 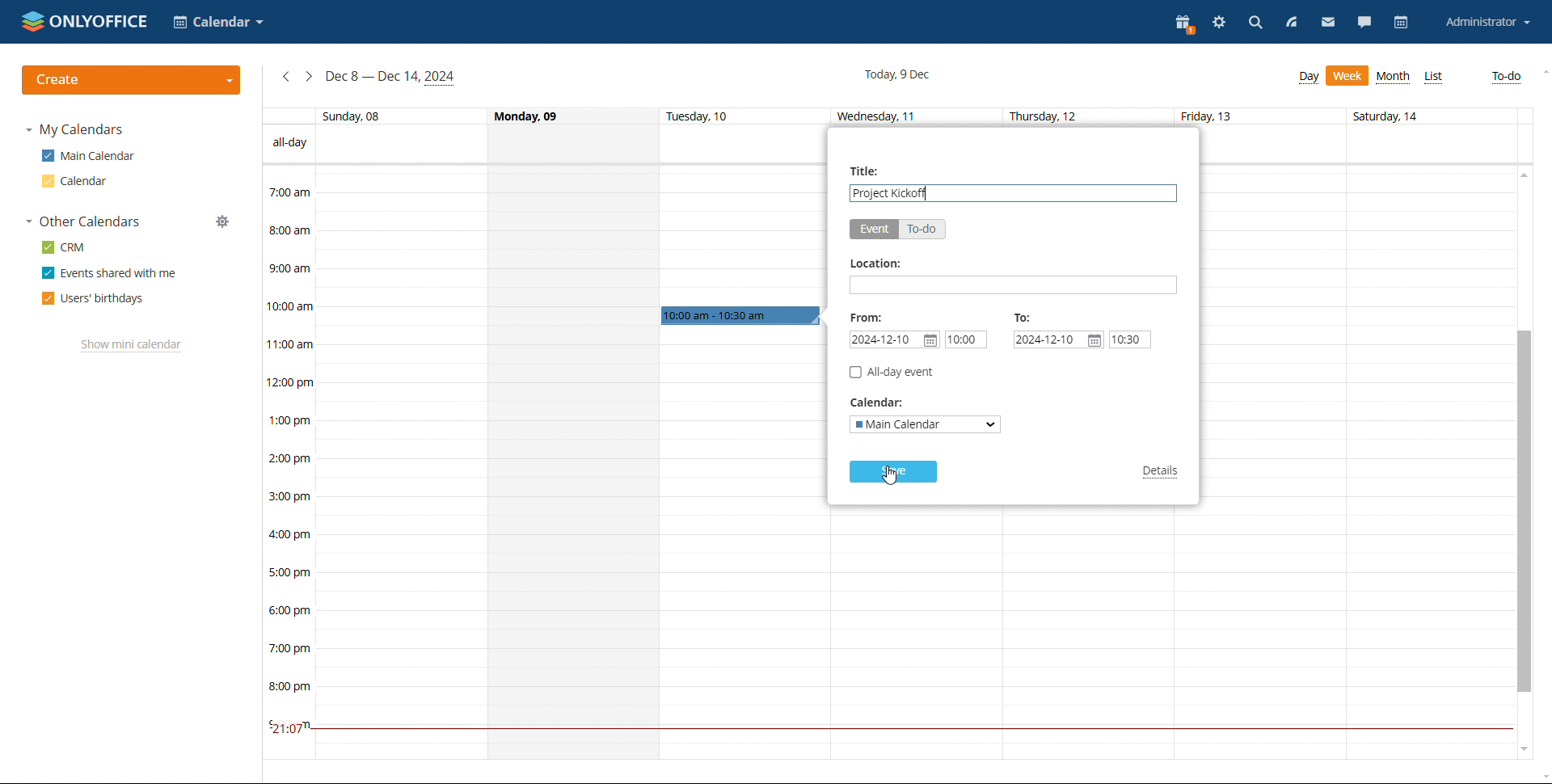 I want to click on end date, so click(x=1058, y=339).